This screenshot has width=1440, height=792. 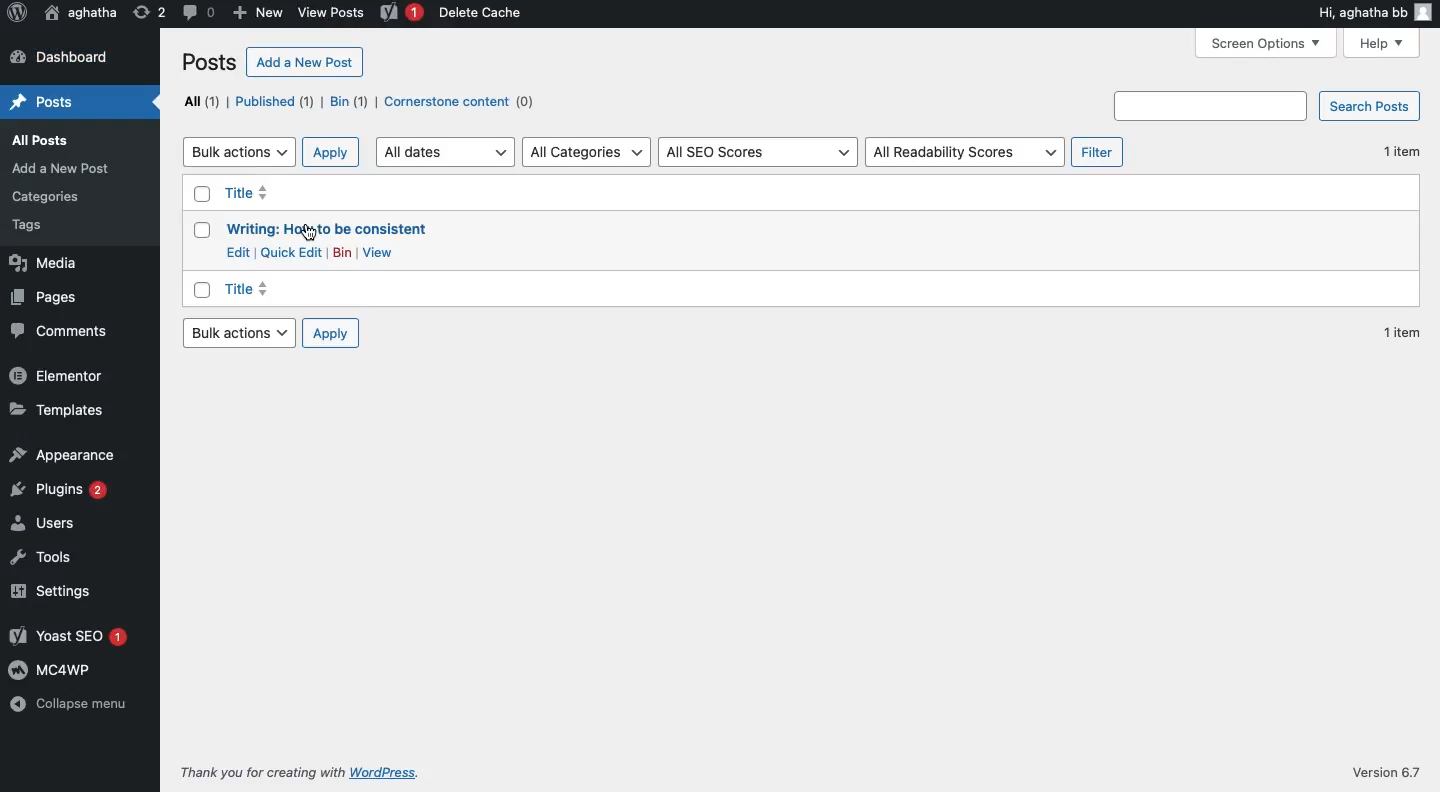 What do you see at coordinates (194, 13) in the screenshot?
I see `Comment` at bounding box center [194, 13].